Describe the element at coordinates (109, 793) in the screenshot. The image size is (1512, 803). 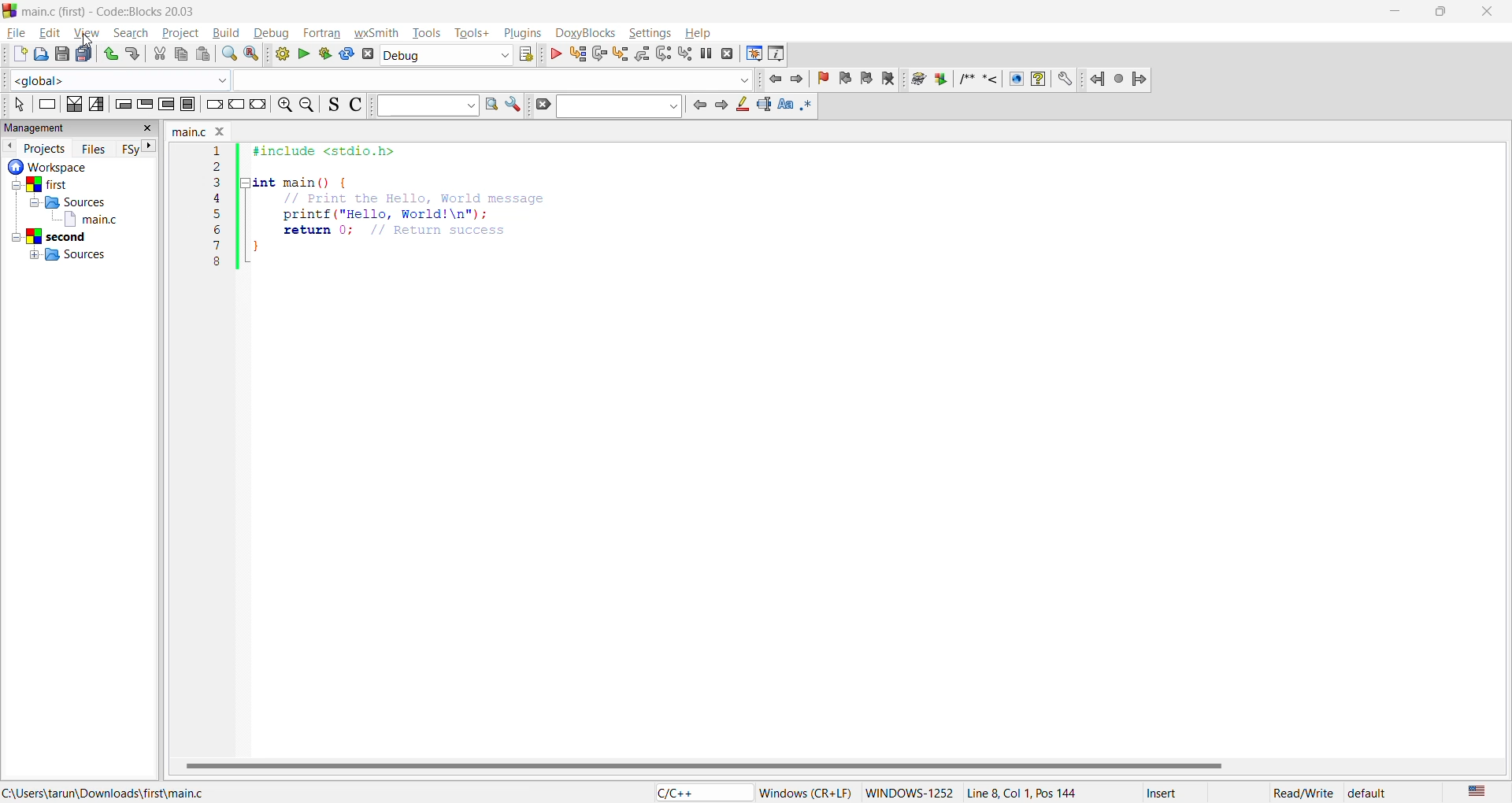
I see `file location` at that location.